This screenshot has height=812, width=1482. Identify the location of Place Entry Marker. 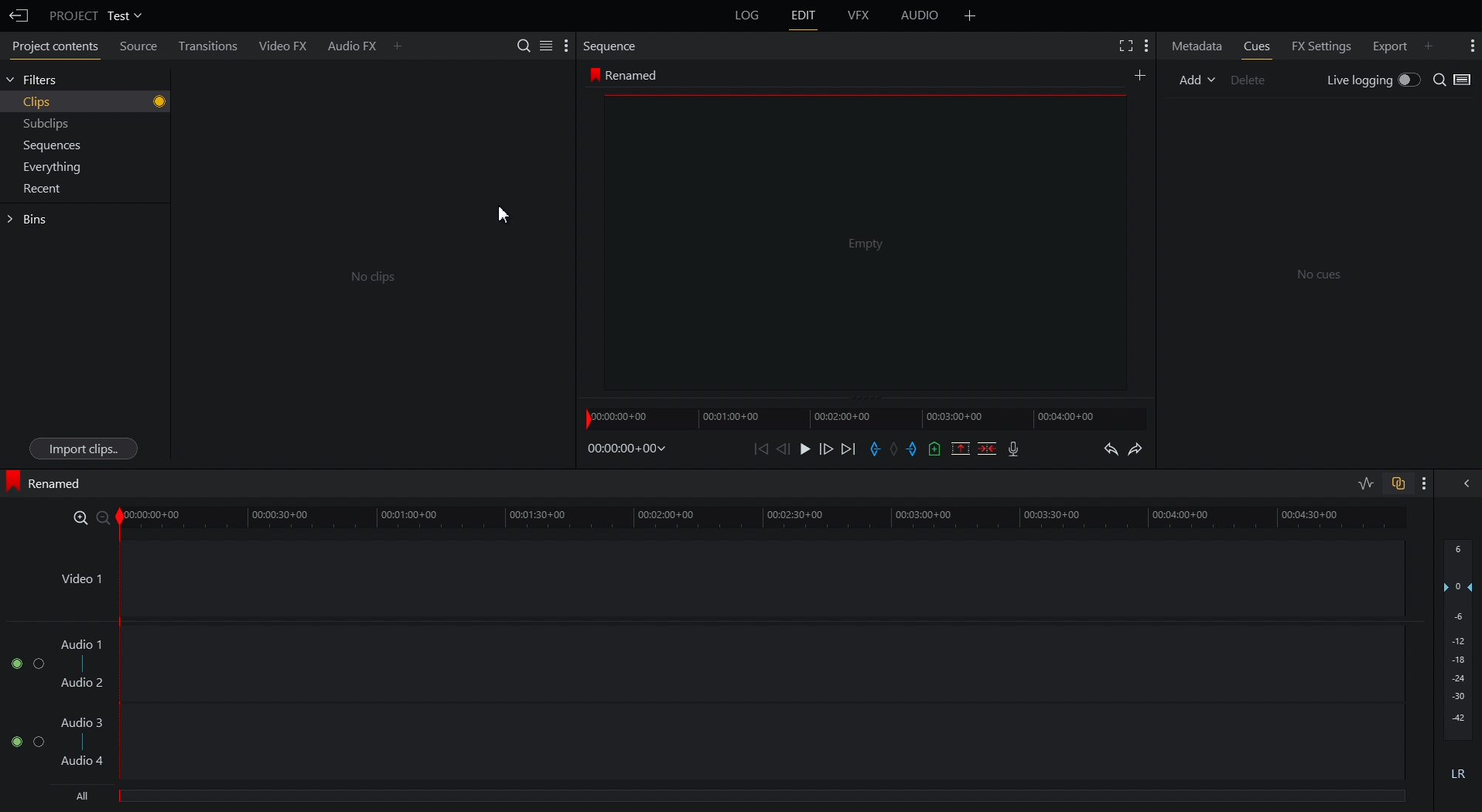
(876, 449).